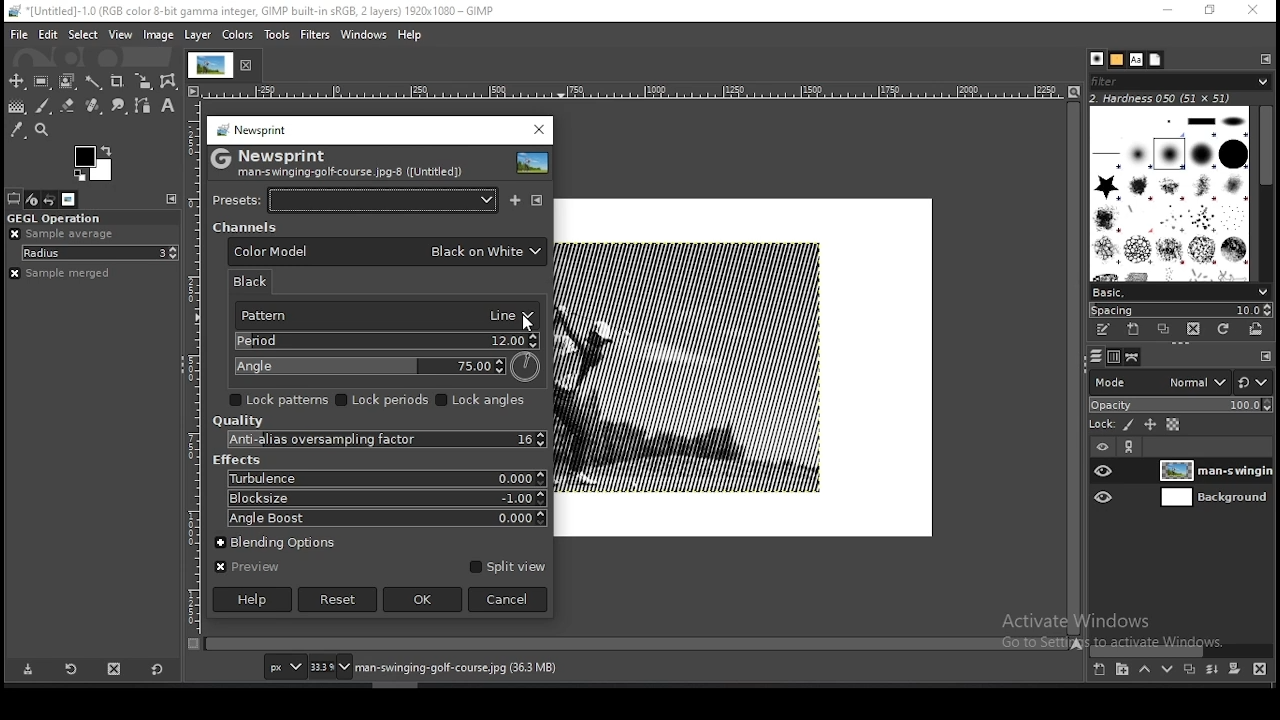 The image size is (1280, 720). Describe the element at coordinates (238, 421) in the screenshot. I see `quality` at that location.